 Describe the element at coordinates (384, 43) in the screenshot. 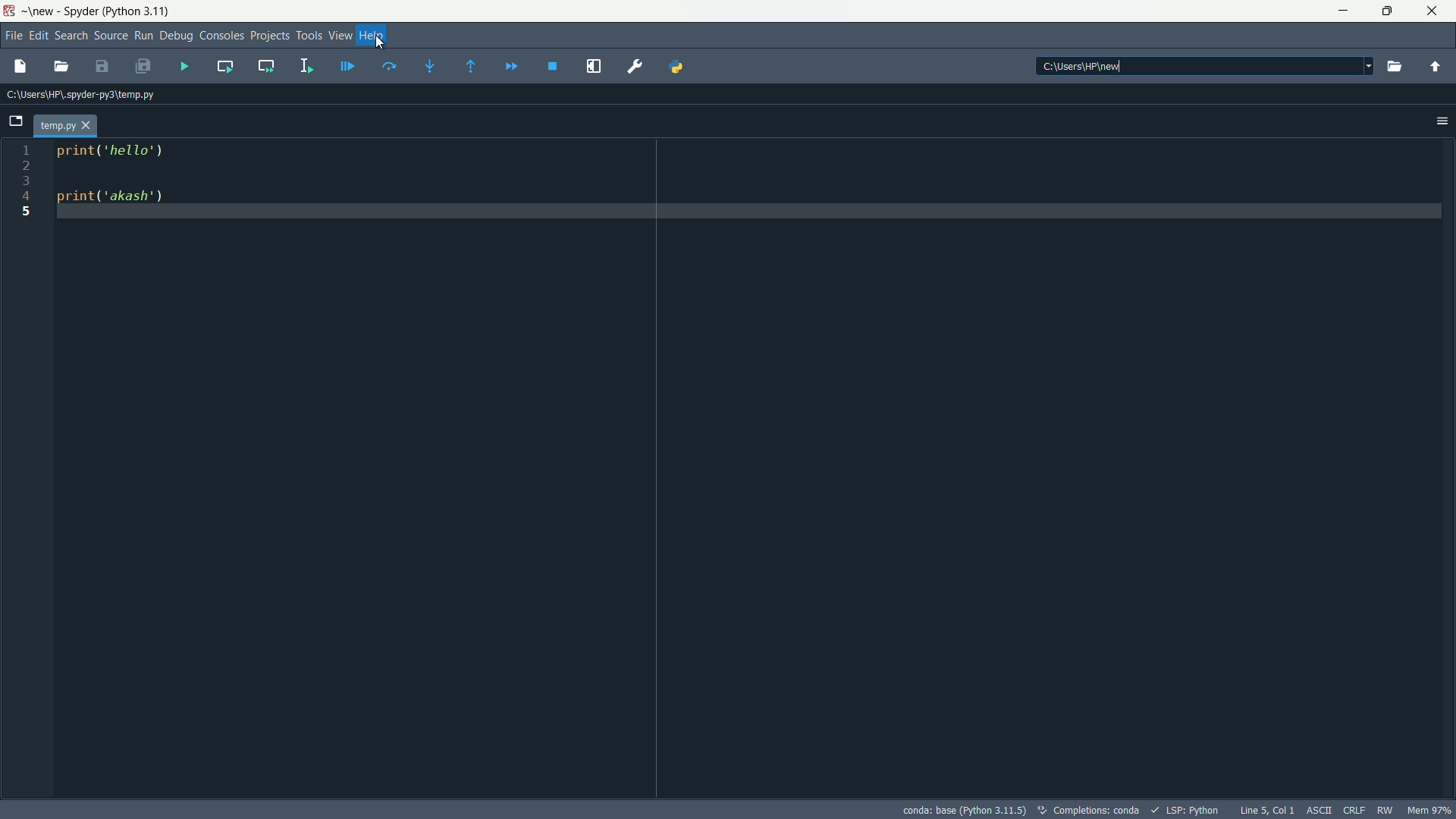

I see `crusor` at that location.